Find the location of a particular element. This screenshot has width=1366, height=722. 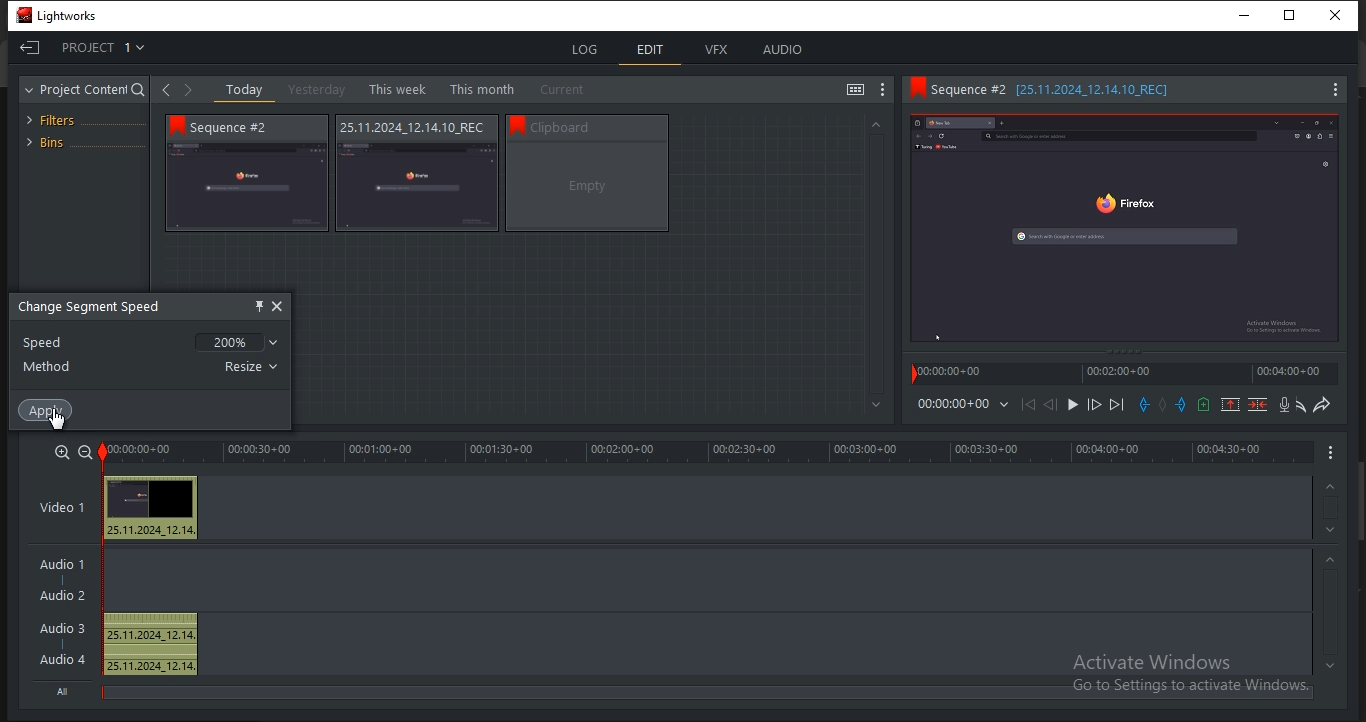

Play is located at coordinates (1072, 406).